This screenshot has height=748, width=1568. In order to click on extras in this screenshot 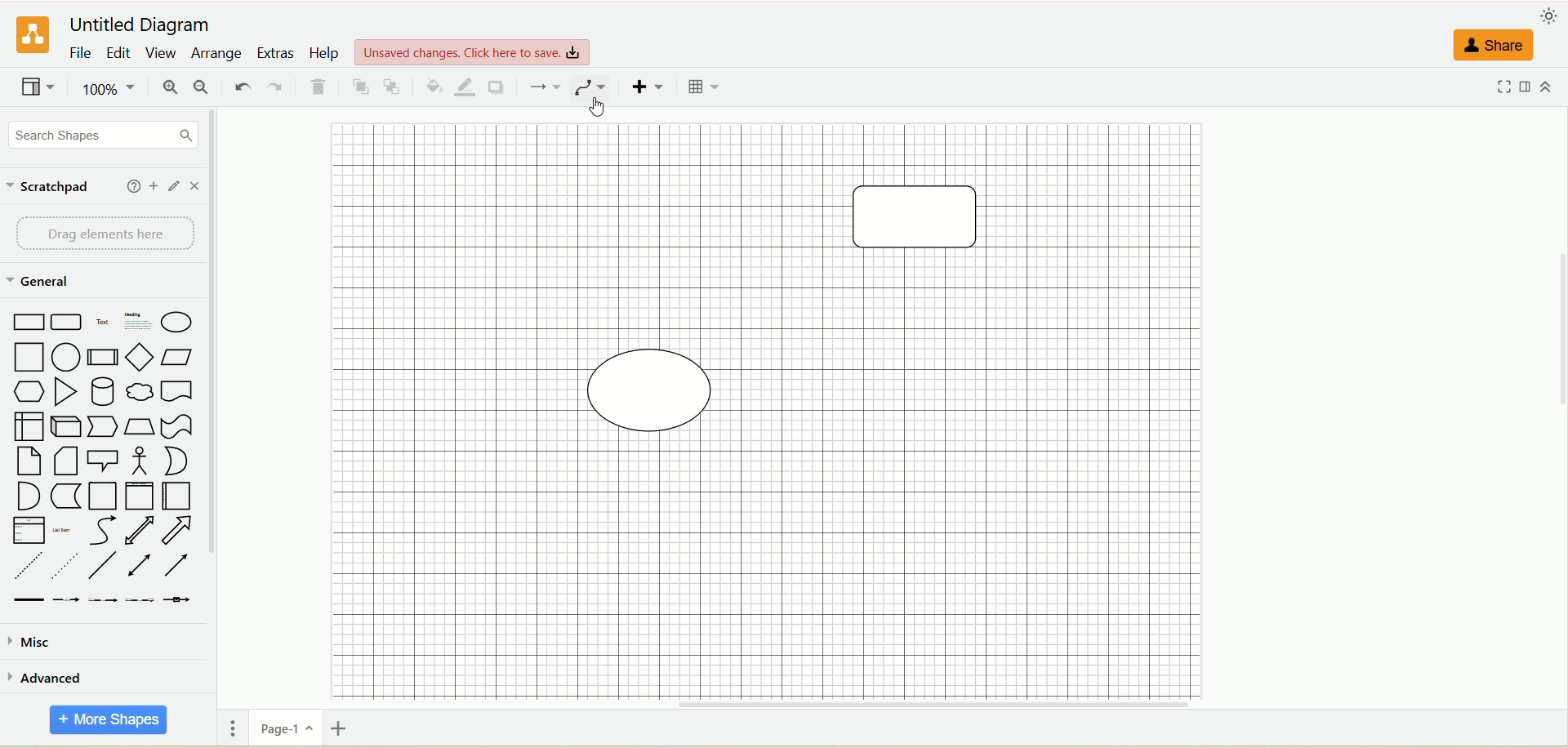, I will do `click(276, 51)`.